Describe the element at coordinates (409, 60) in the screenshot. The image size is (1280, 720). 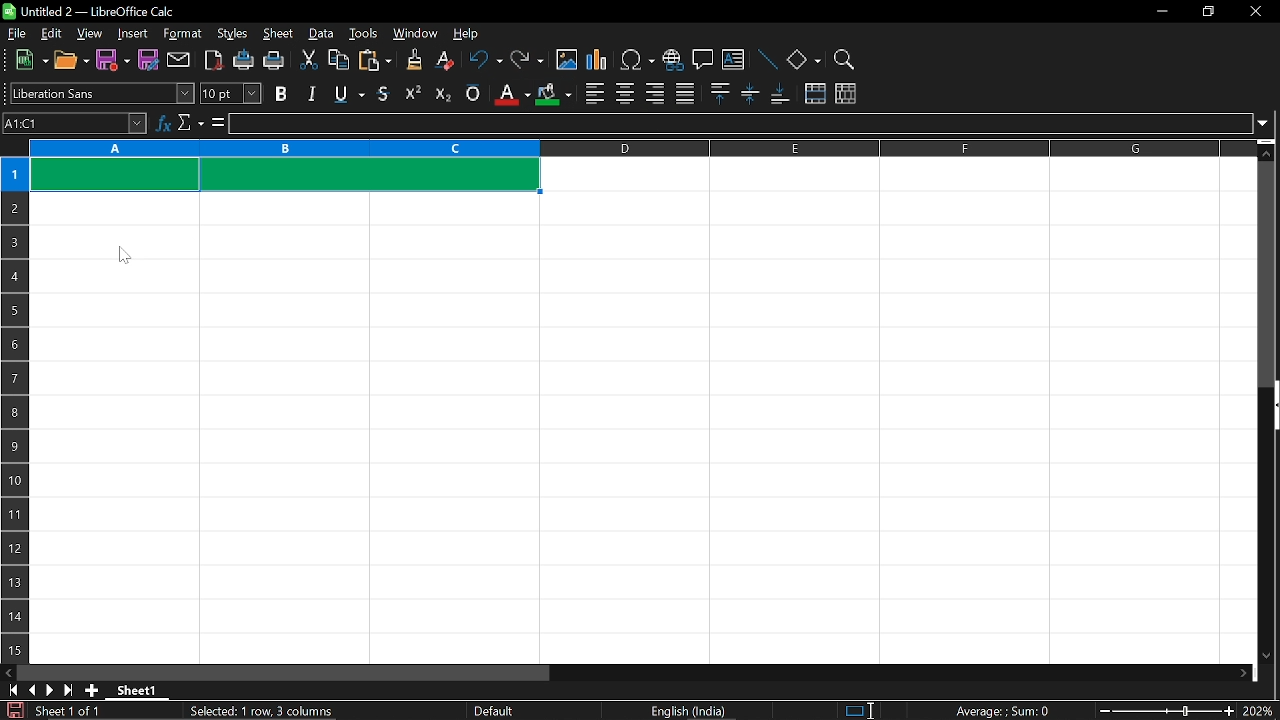
I see `clone formatting` at that location.